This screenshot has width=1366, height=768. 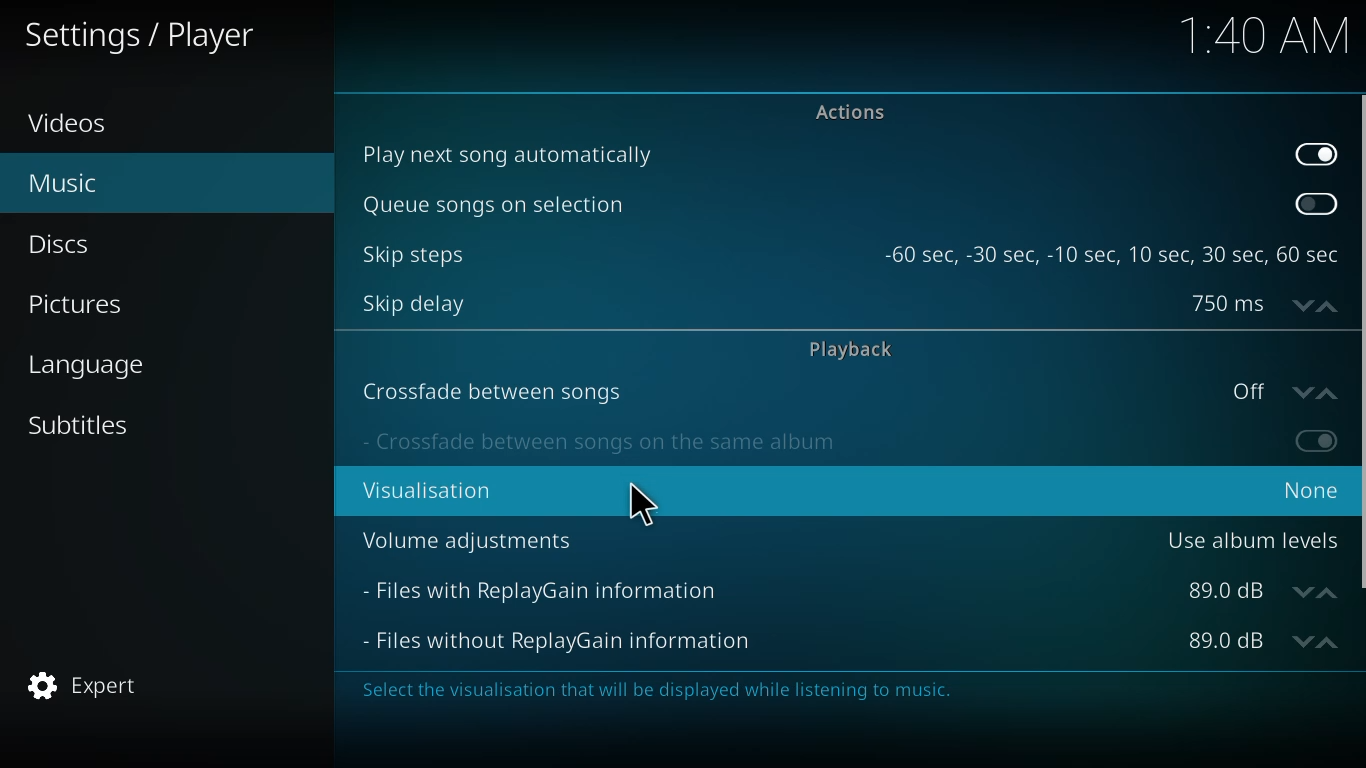 What do you see at coordinates (78, 423) in the screenshot?
I see `subtitles` at bounding box center [78, 423].